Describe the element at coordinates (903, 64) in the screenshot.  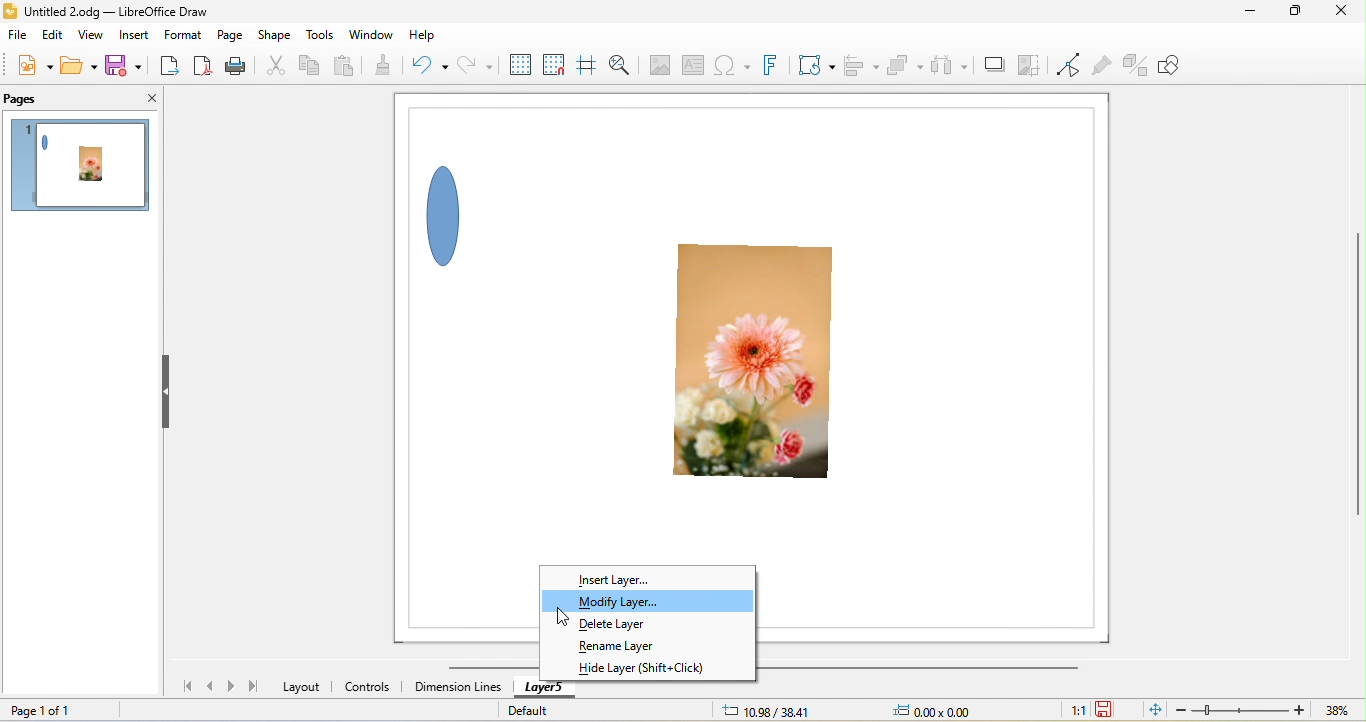
I see `arrange` at that location.